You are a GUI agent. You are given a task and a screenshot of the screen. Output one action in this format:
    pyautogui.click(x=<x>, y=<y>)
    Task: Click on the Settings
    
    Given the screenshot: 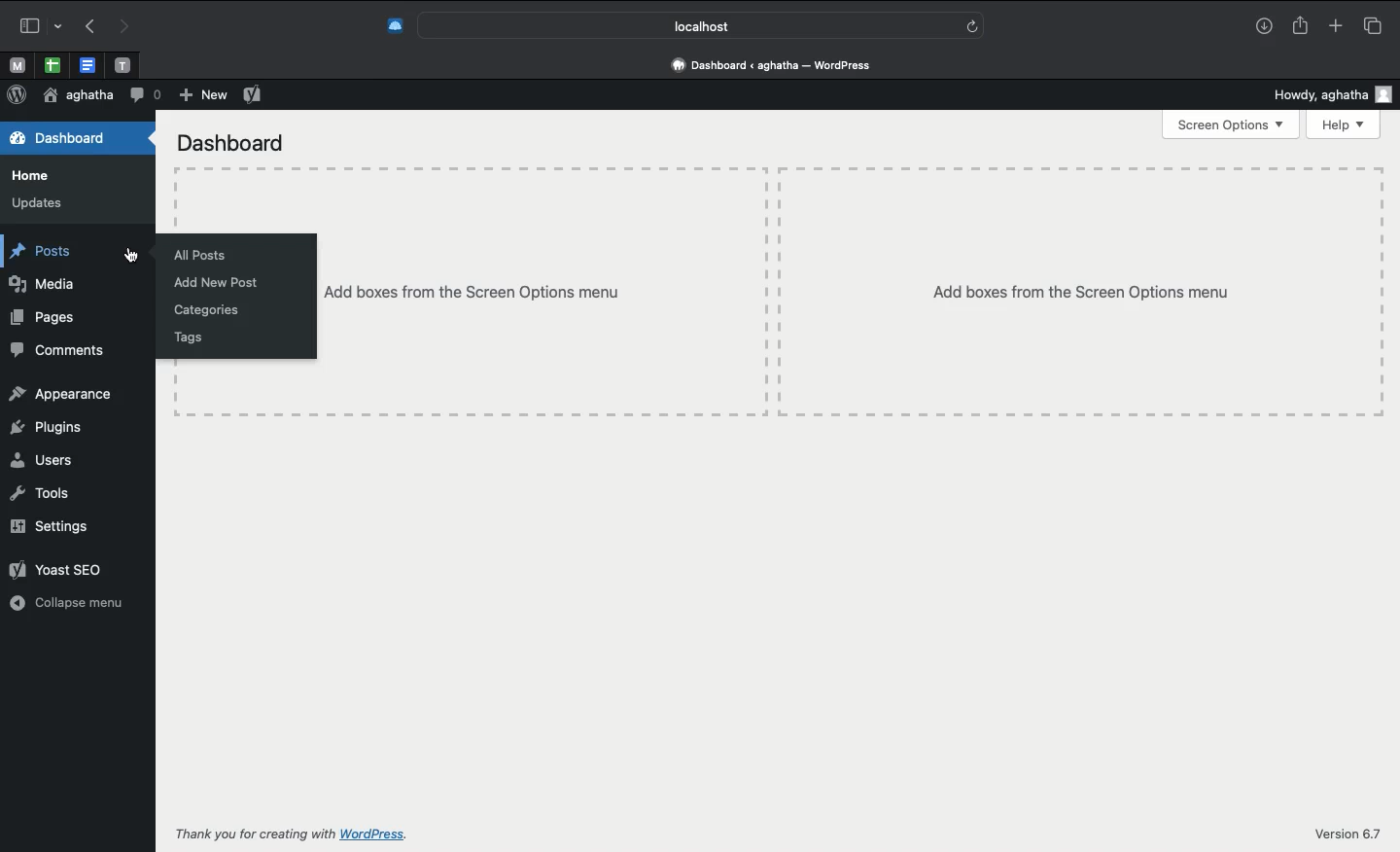 What is the action you would take?
    pyautogui.click(x=53, y=526)
    